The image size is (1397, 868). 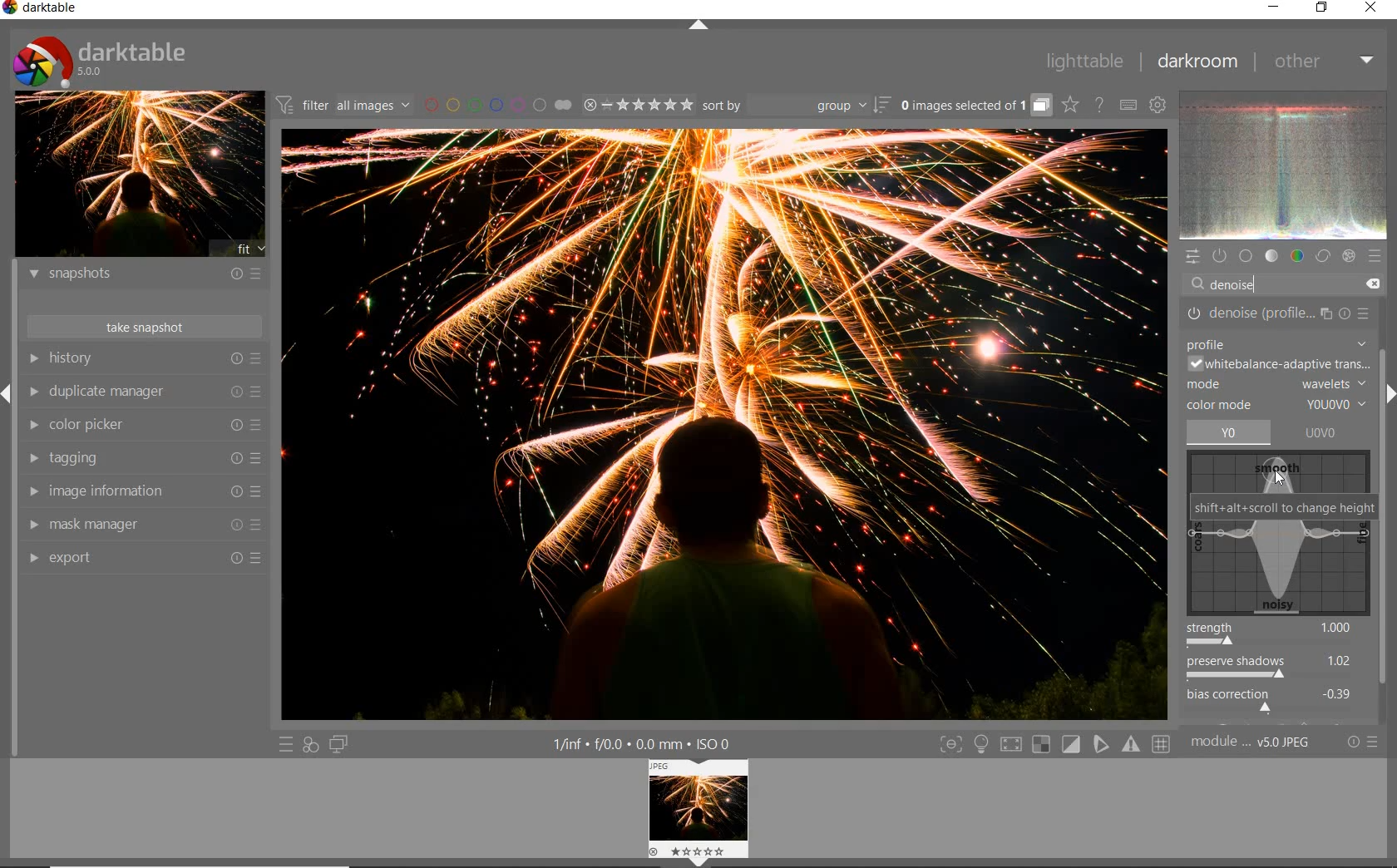 I want to click on Toggle modes, so click(x=1054, y=743).